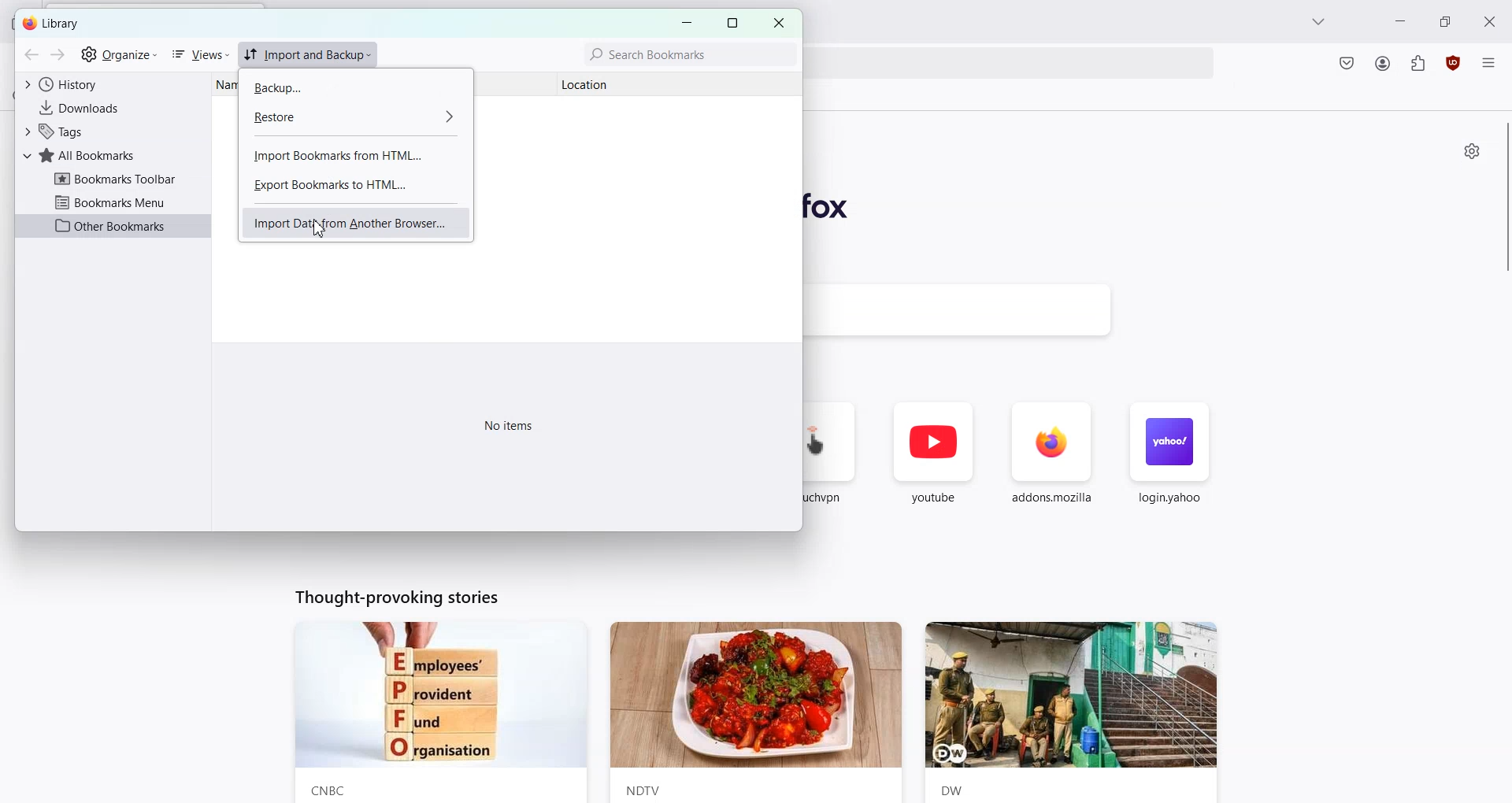 The height and width of the screenshot is (803, 1512). What do you see at coordinates (1491, 20) in the screenshot?
I see `Close` at bounding box center [1491, 20].